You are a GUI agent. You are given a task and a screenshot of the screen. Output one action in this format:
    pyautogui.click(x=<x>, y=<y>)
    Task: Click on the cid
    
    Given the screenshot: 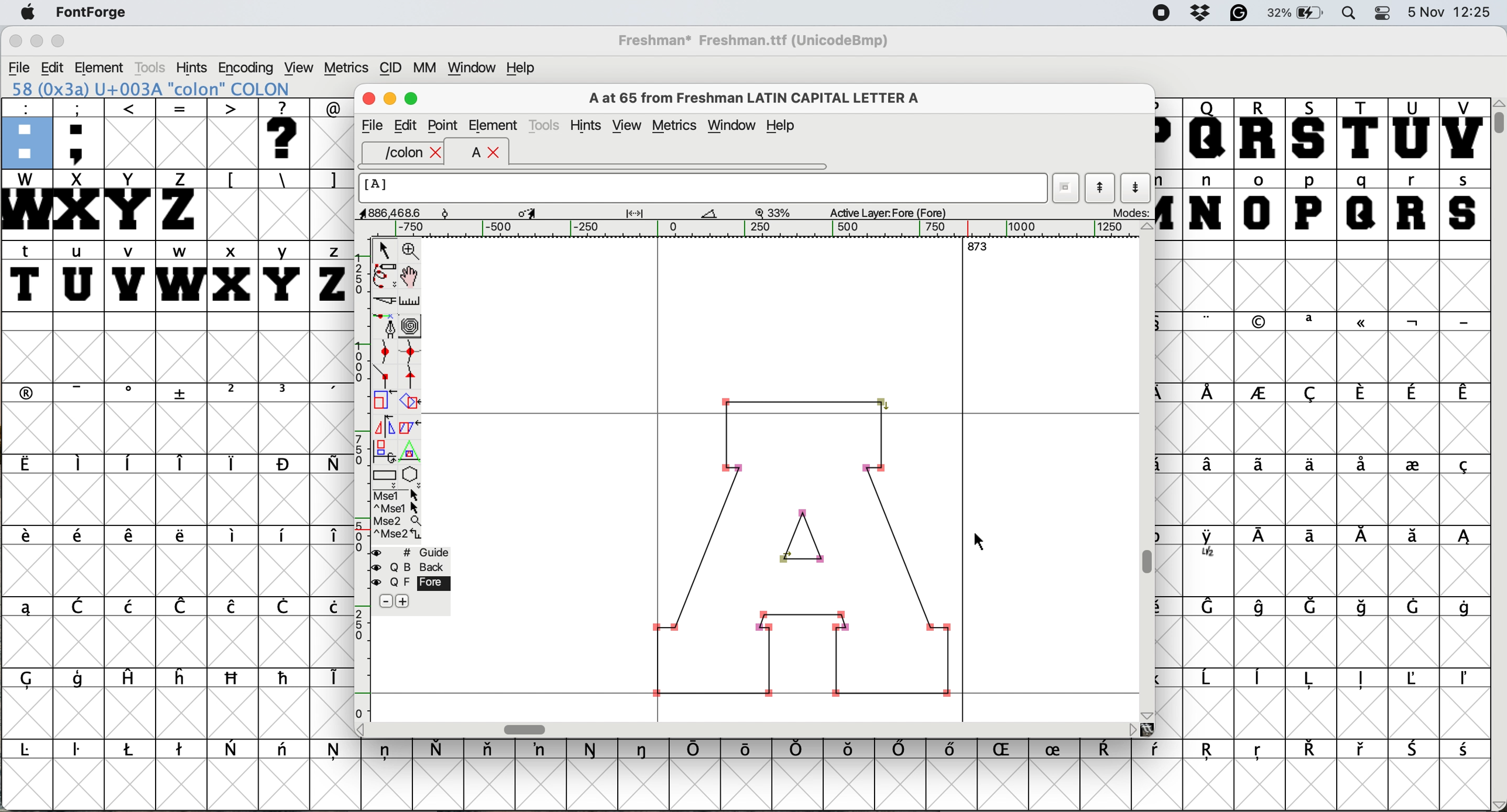 What is the action you would take?
    pyautogui.click(x=389, y=67)
    